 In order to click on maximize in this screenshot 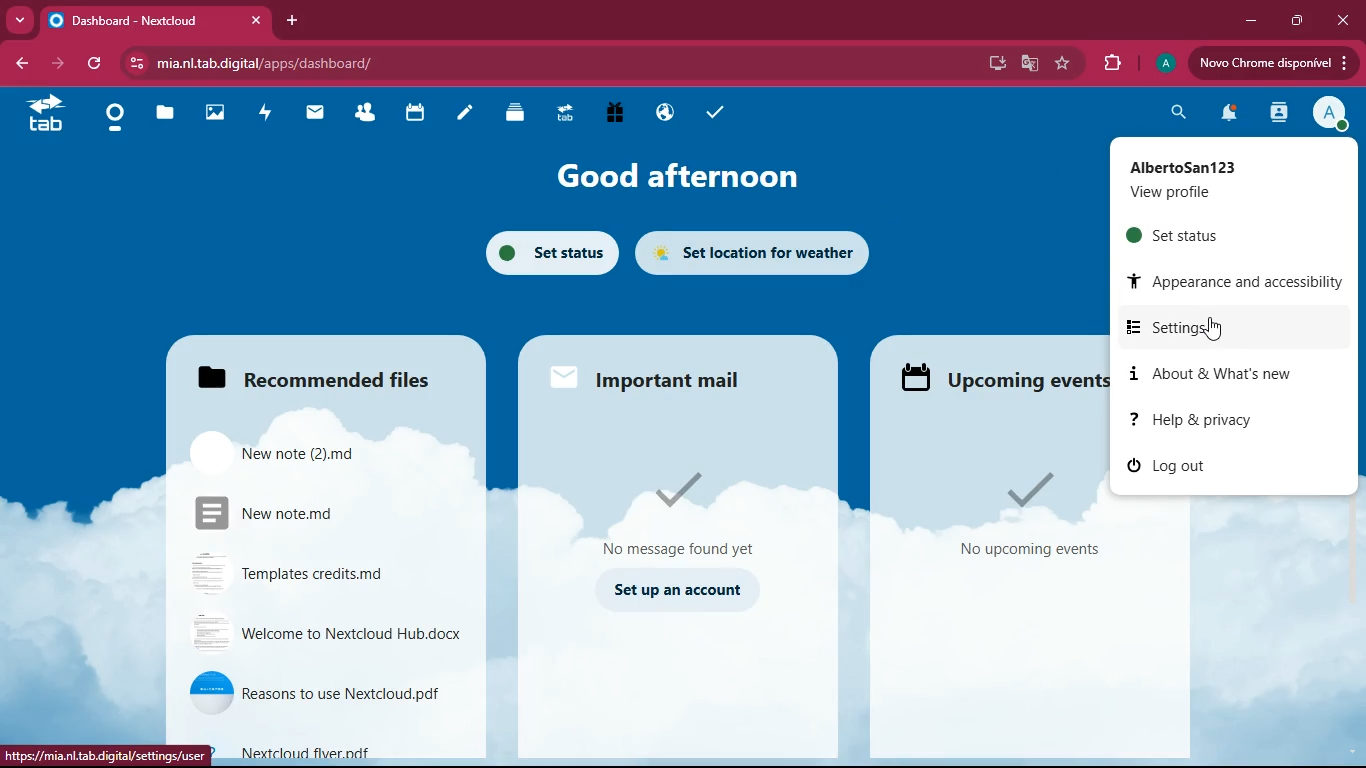, I will do `click(1294, 21)`.